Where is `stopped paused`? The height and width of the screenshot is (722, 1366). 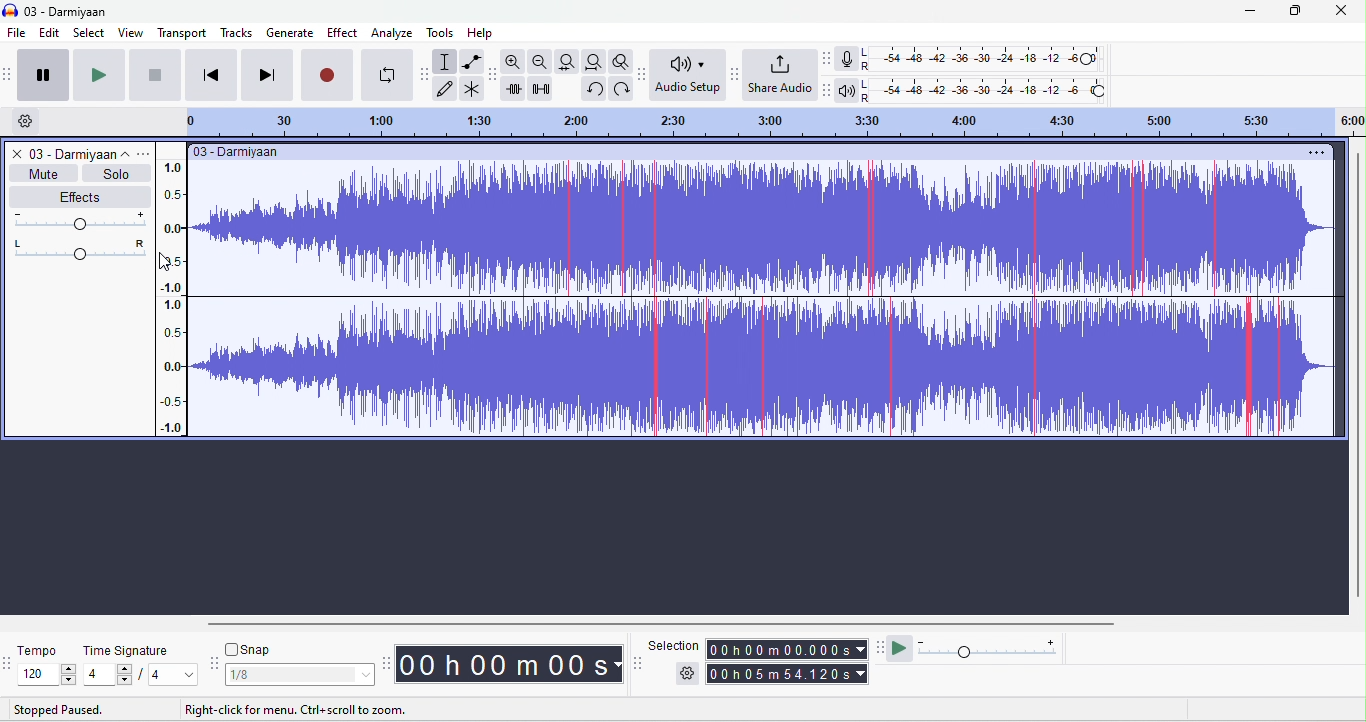 stopped paused is located at coordinates (53, 711).